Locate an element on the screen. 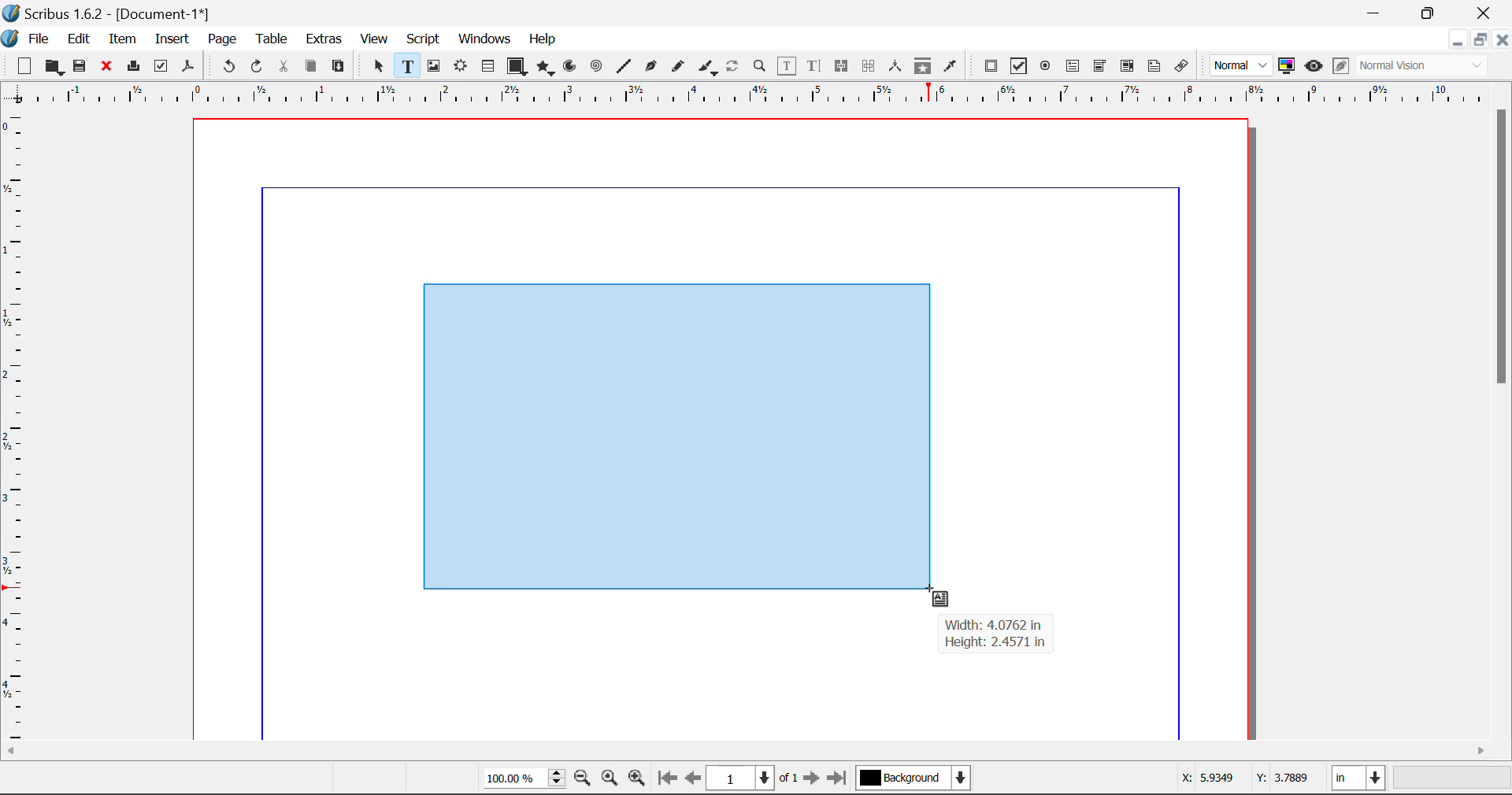  Image Frame is located at coordinates (433, 66).